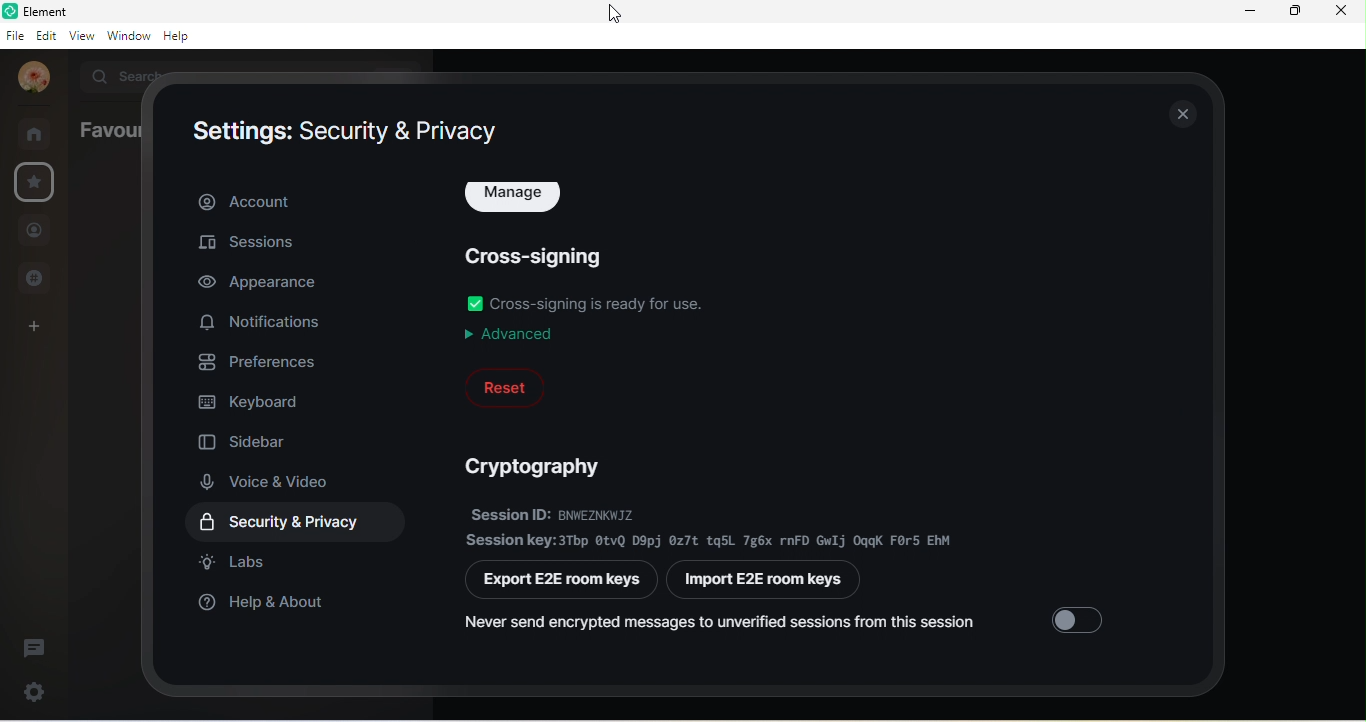 This screenshot has width=1366, height=722. I want to click on maximize, so click(1292, 12).